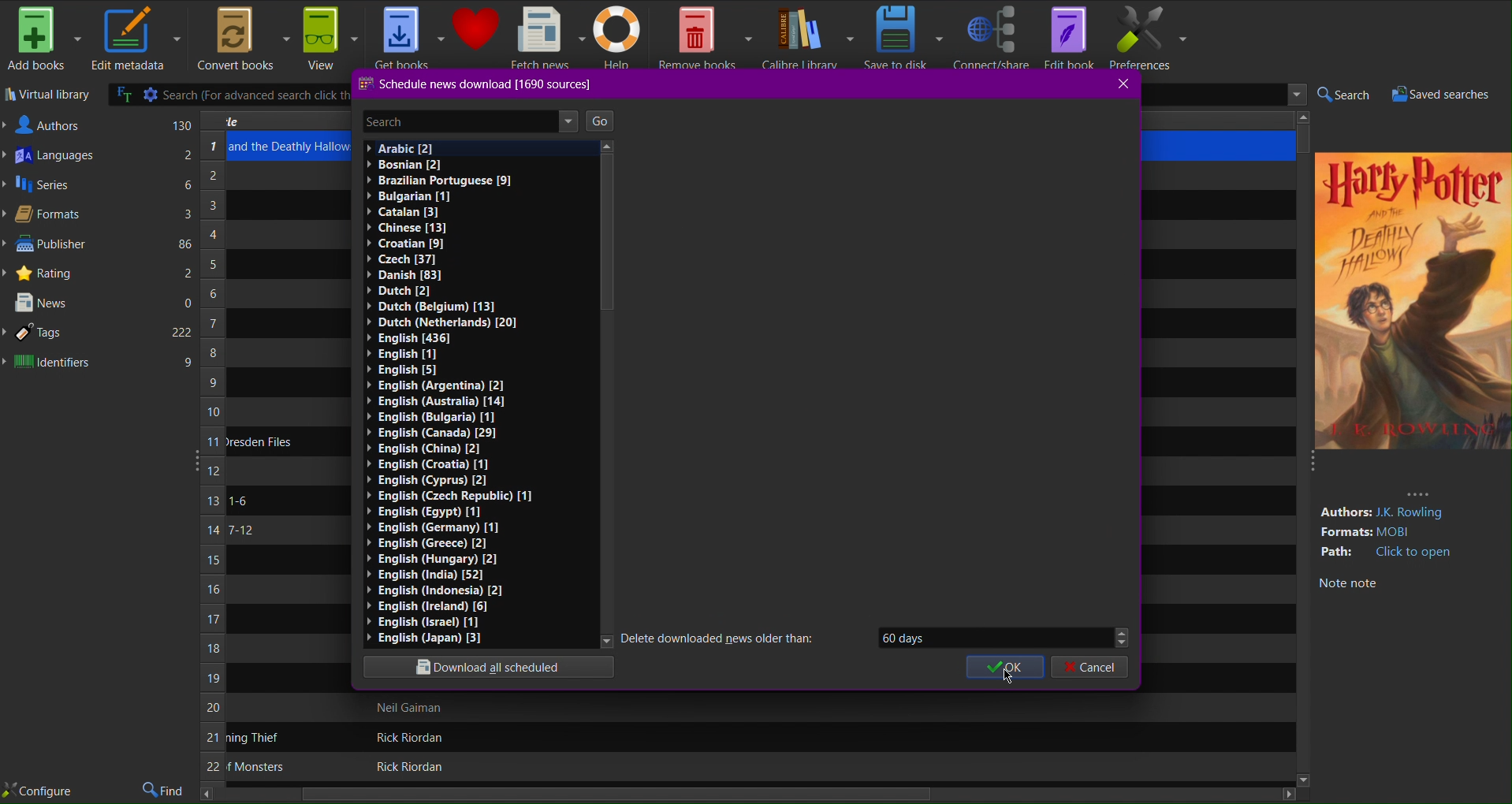 This screenshot has width=1512, height=804. Describe the element at coordinates (401, 274) in the screenshot. I see `Danish [83]` at that location.